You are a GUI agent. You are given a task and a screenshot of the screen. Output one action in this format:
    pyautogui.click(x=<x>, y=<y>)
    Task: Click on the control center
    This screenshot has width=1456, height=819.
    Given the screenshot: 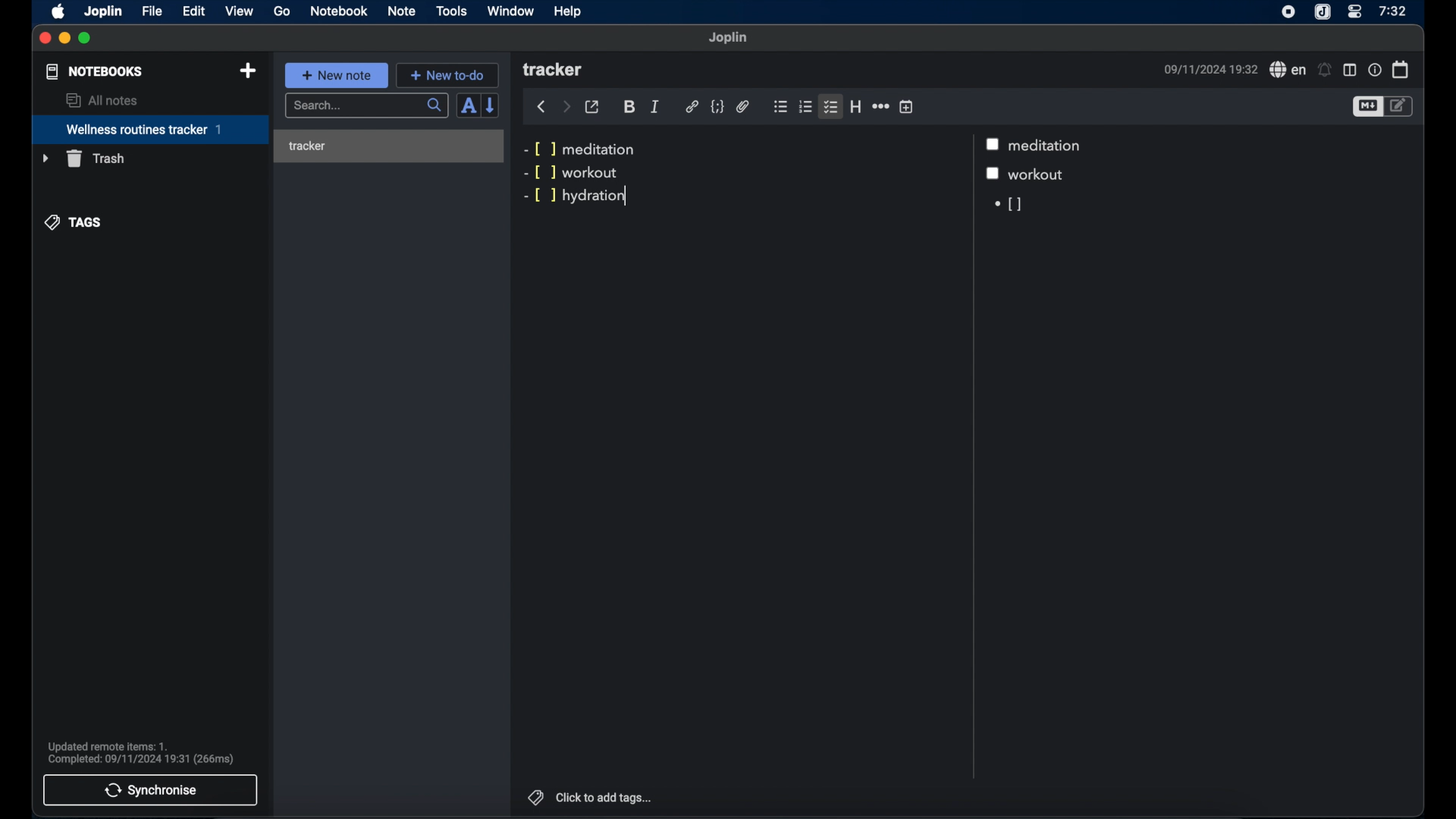 What is the action you would take?
    pyautogui.click(x=1355, y=12)
    